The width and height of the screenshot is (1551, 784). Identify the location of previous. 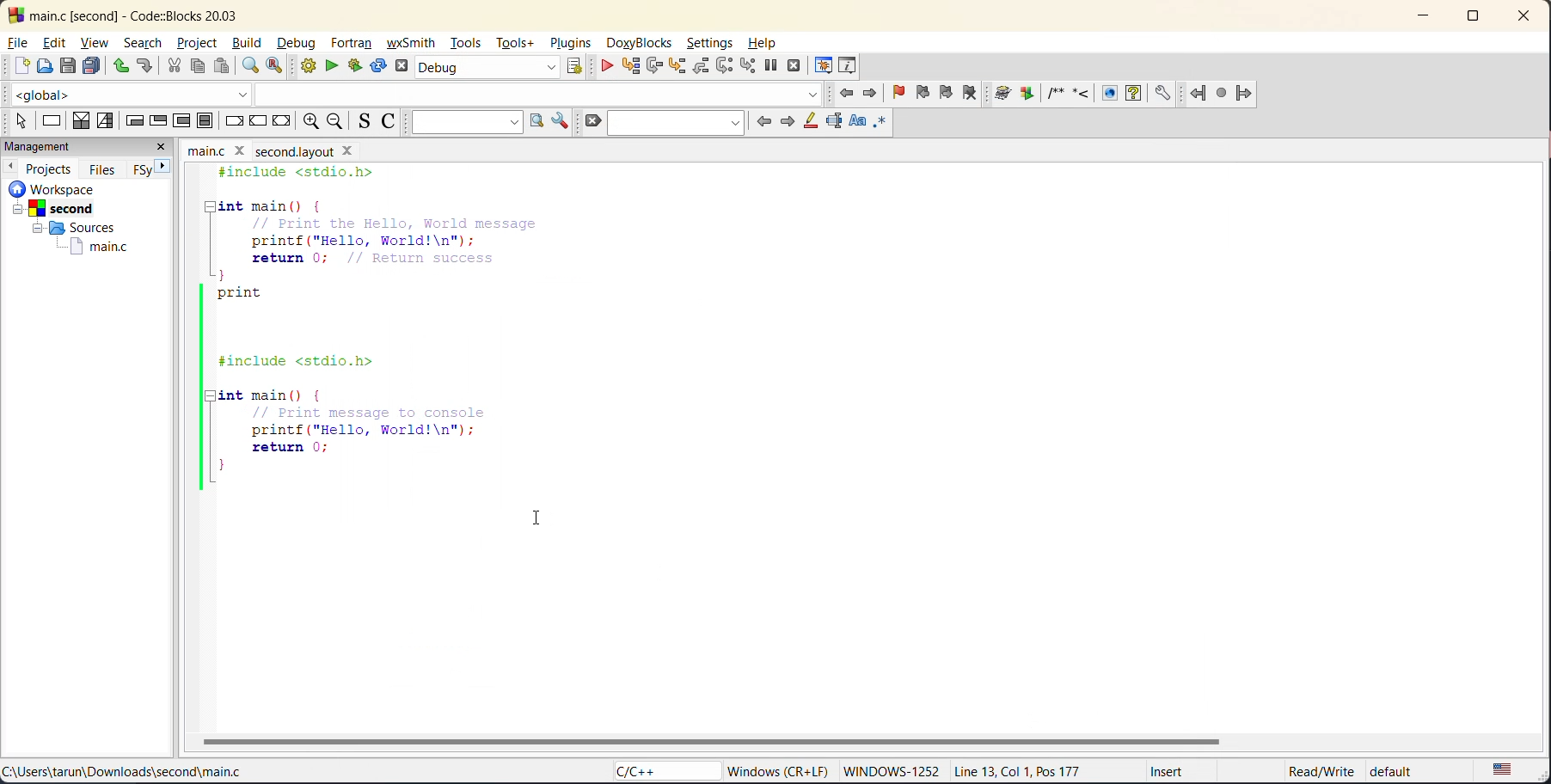
(762, 121).